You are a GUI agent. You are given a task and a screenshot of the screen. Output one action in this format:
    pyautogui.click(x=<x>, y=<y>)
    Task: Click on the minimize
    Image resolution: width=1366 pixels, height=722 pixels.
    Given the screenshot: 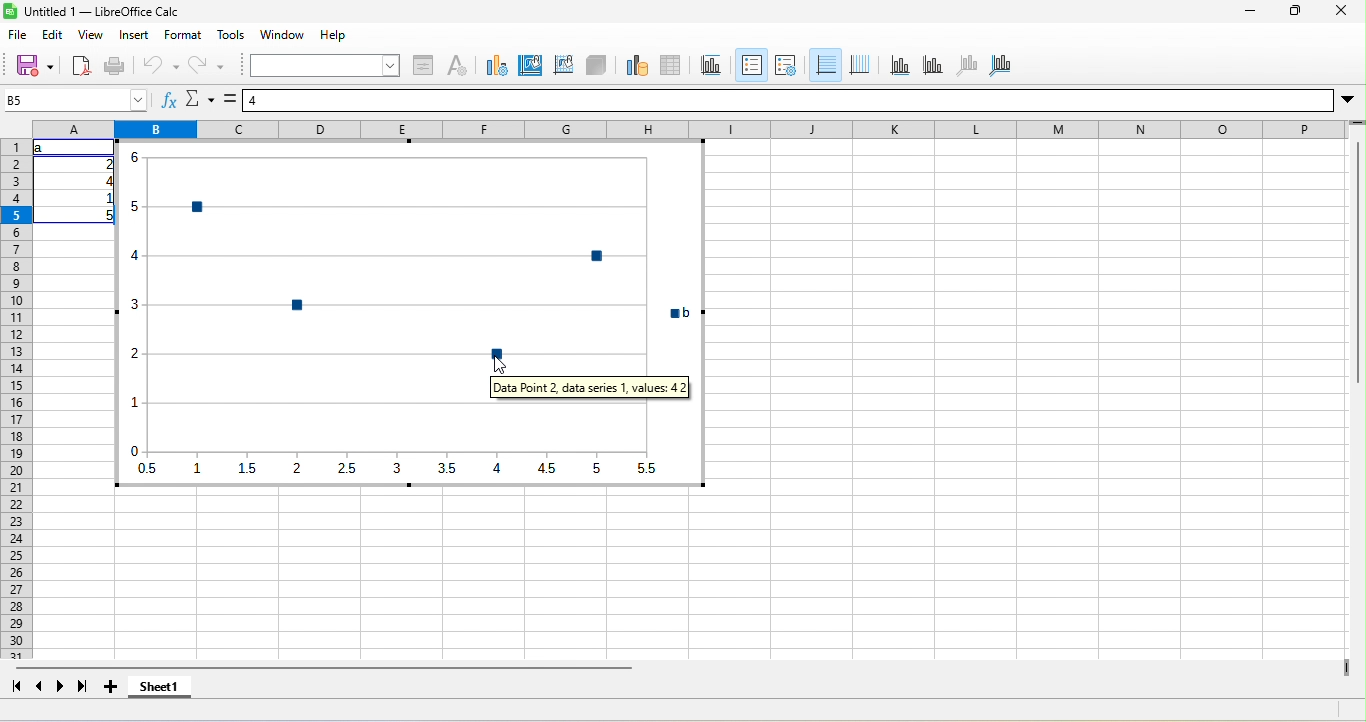 What is the action you would take?
    pyautogui.click(x=1250, y=11)
    